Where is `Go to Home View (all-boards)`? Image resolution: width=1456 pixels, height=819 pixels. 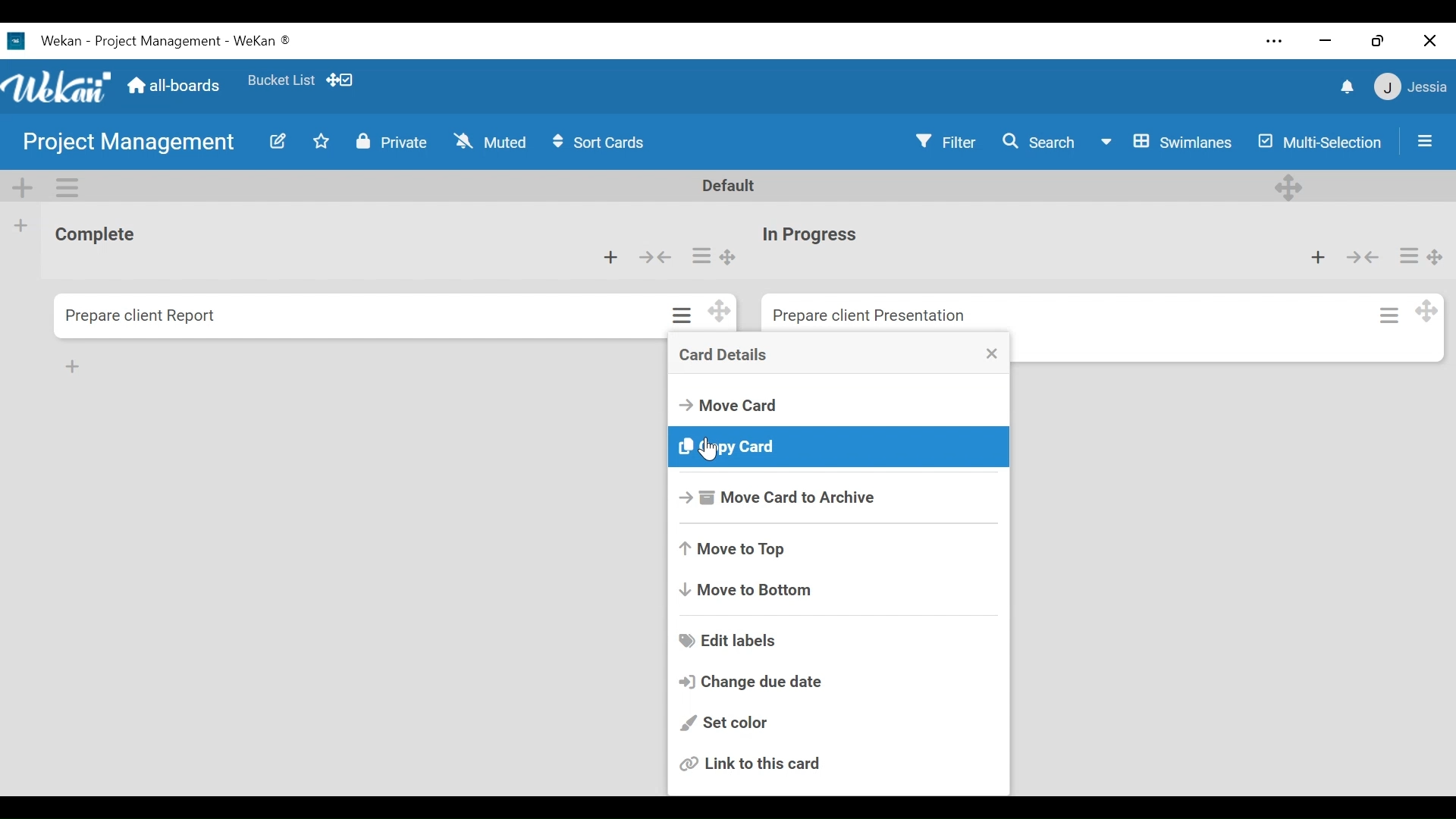
Go to Home View (all-boards) is located at coordinates (171, 86).